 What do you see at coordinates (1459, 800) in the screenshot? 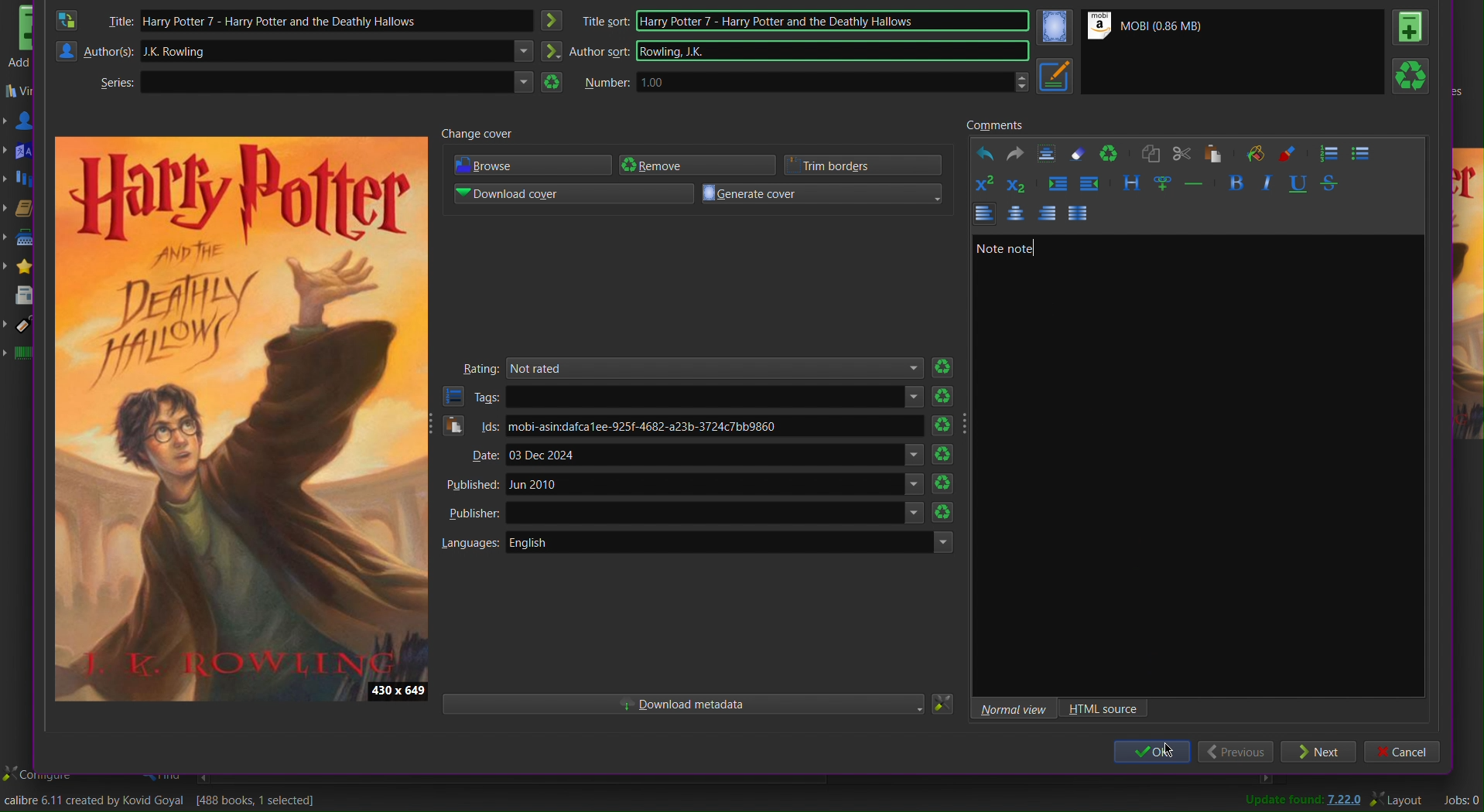
I see `Jobs` at bounding box center [1459, 800].